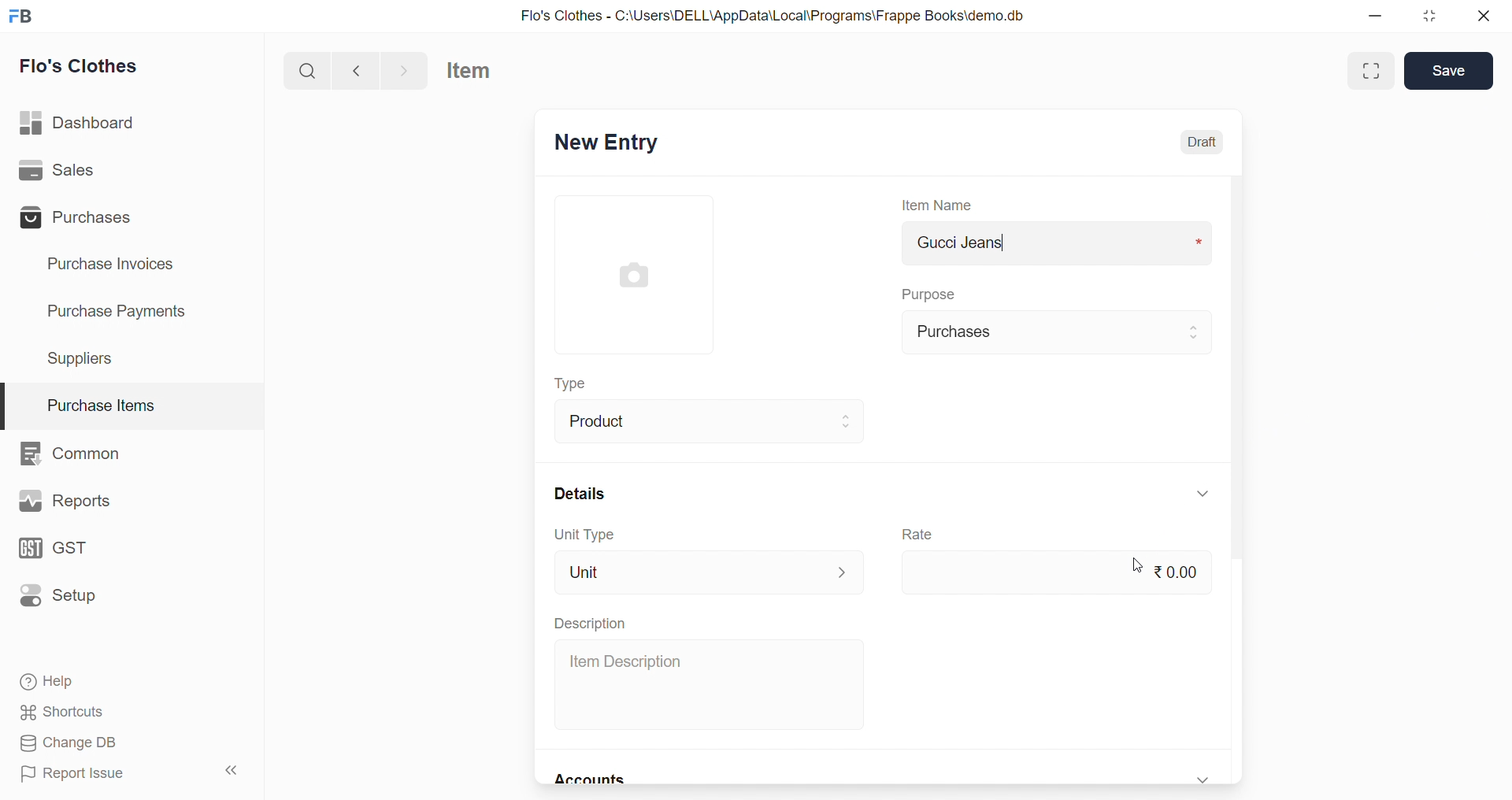 The image size is (1512, 800). Describe the element at coordinates (1053, 572) in the screenshot. I see `₹0.00` at that location.